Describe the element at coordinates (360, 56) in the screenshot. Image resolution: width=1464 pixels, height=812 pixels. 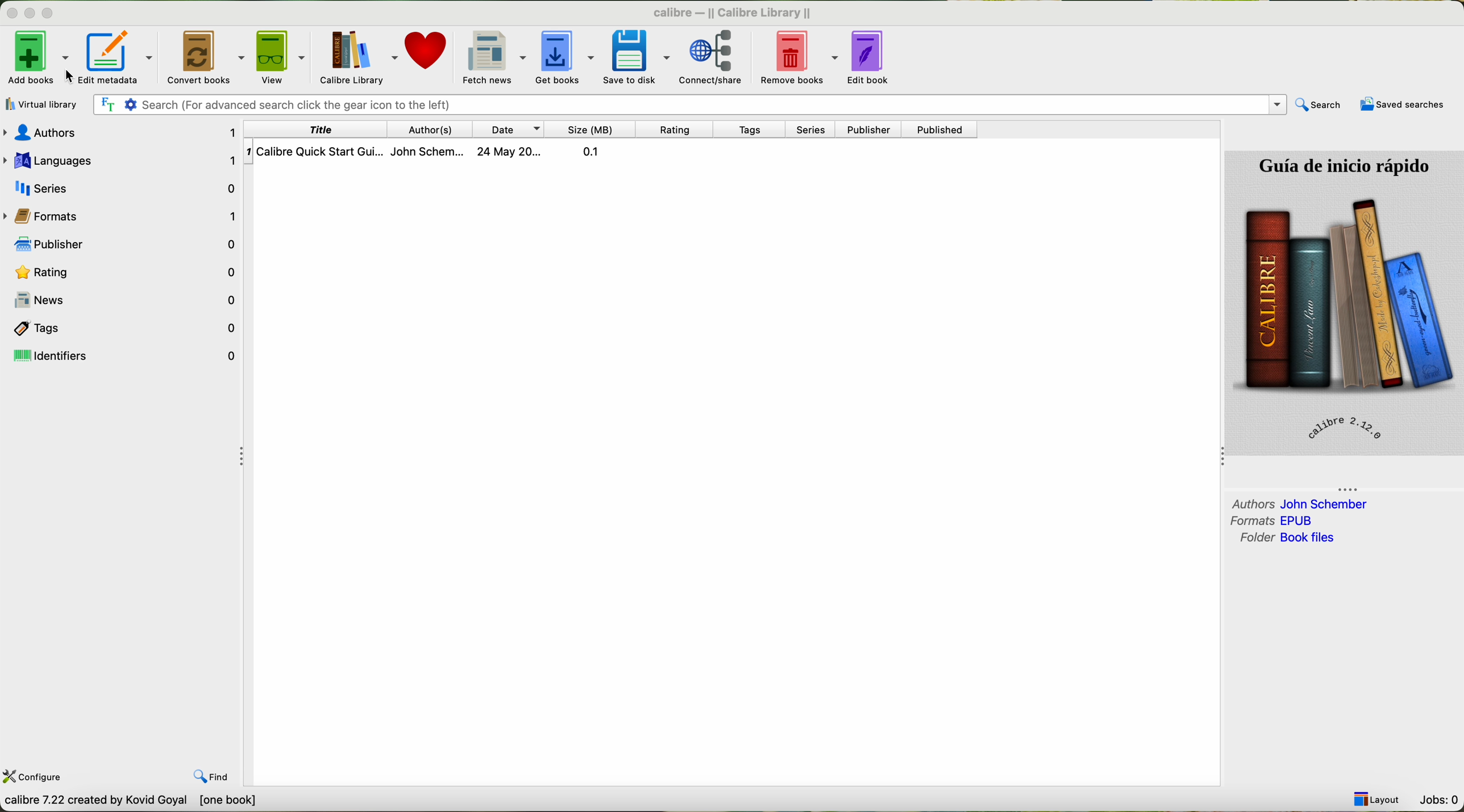
I see `Calibre library` at that location.